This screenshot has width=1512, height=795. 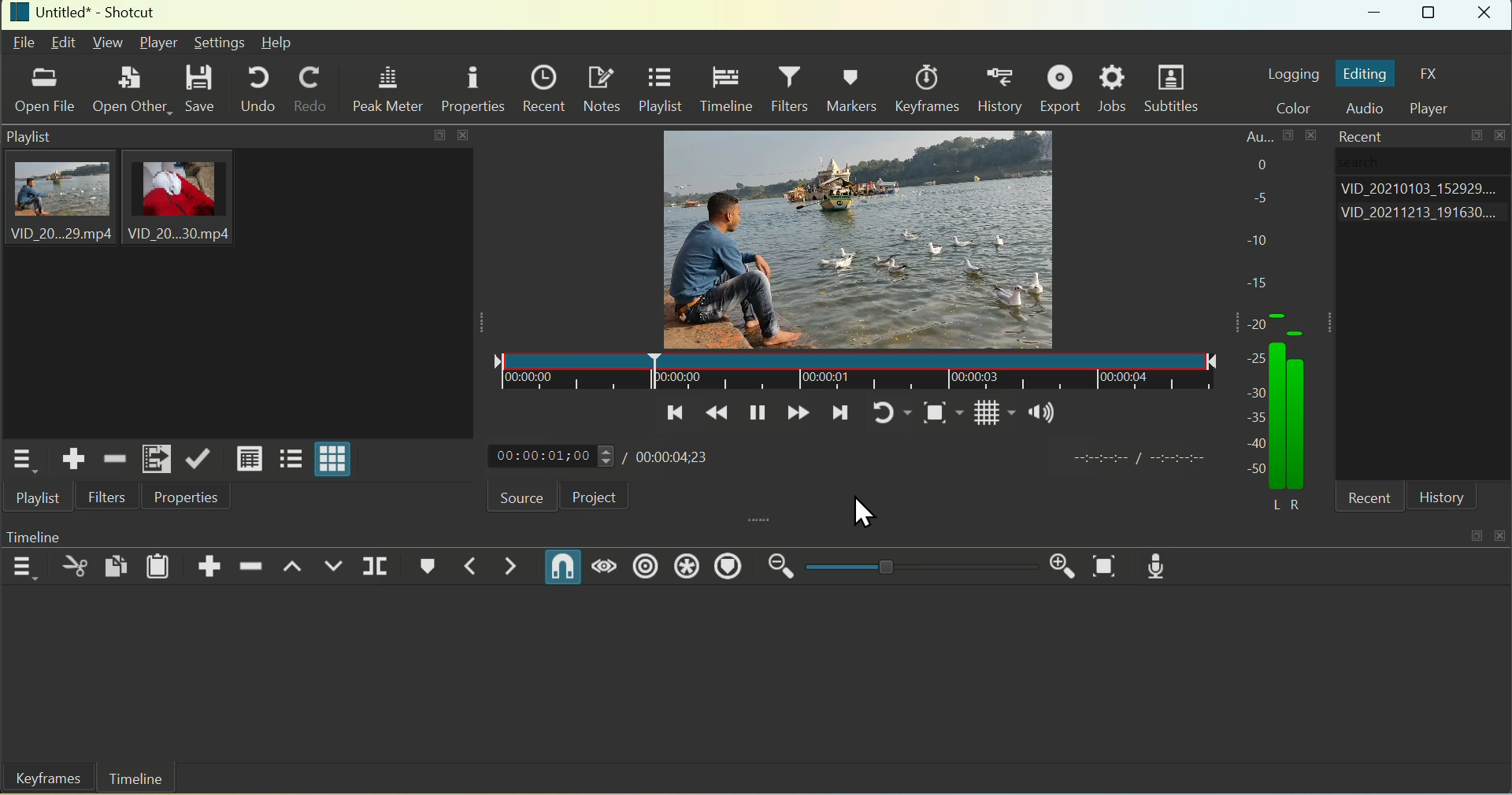 What do you see at coordinates (607, 568) in the screenshot?
I see `Scrup while dragging` at bounding box center [607, 568].